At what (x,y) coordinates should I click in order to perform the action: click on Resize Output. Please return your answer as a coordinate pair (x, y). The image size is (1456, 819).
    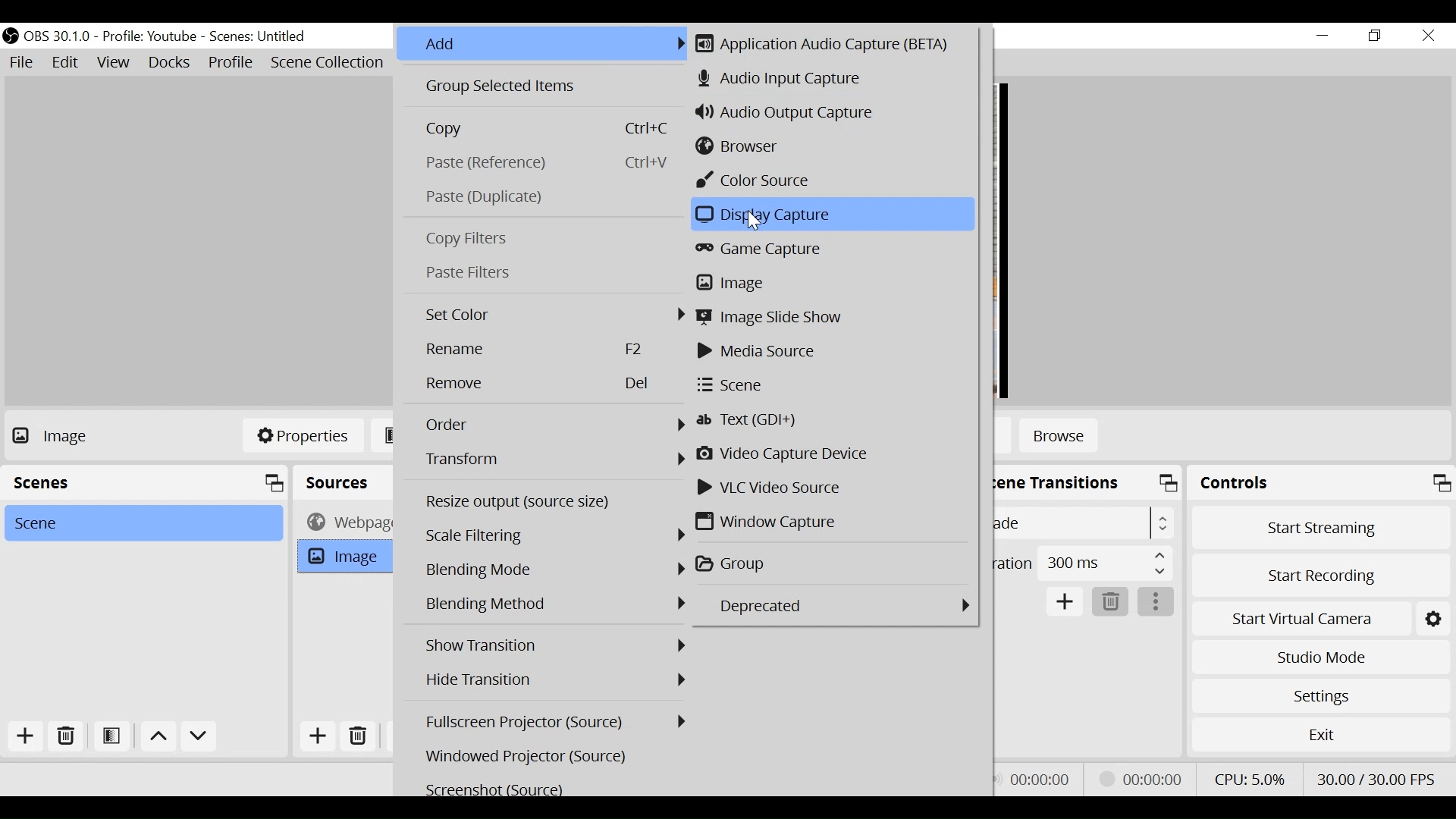
    Looking at the image, I should click on (554, 503).